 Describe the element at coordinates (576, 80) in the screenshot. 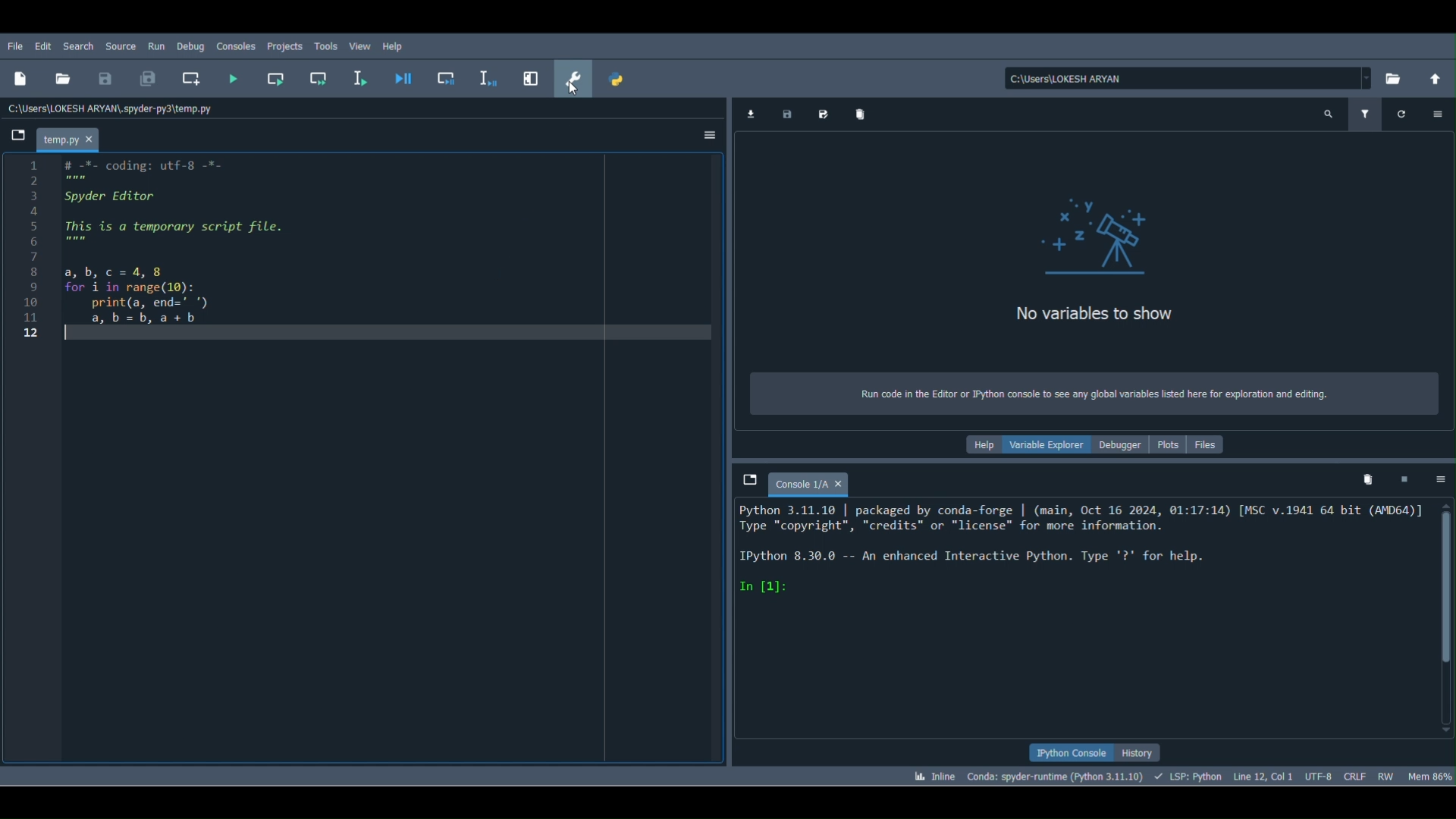

I see `Preferences` at that location.